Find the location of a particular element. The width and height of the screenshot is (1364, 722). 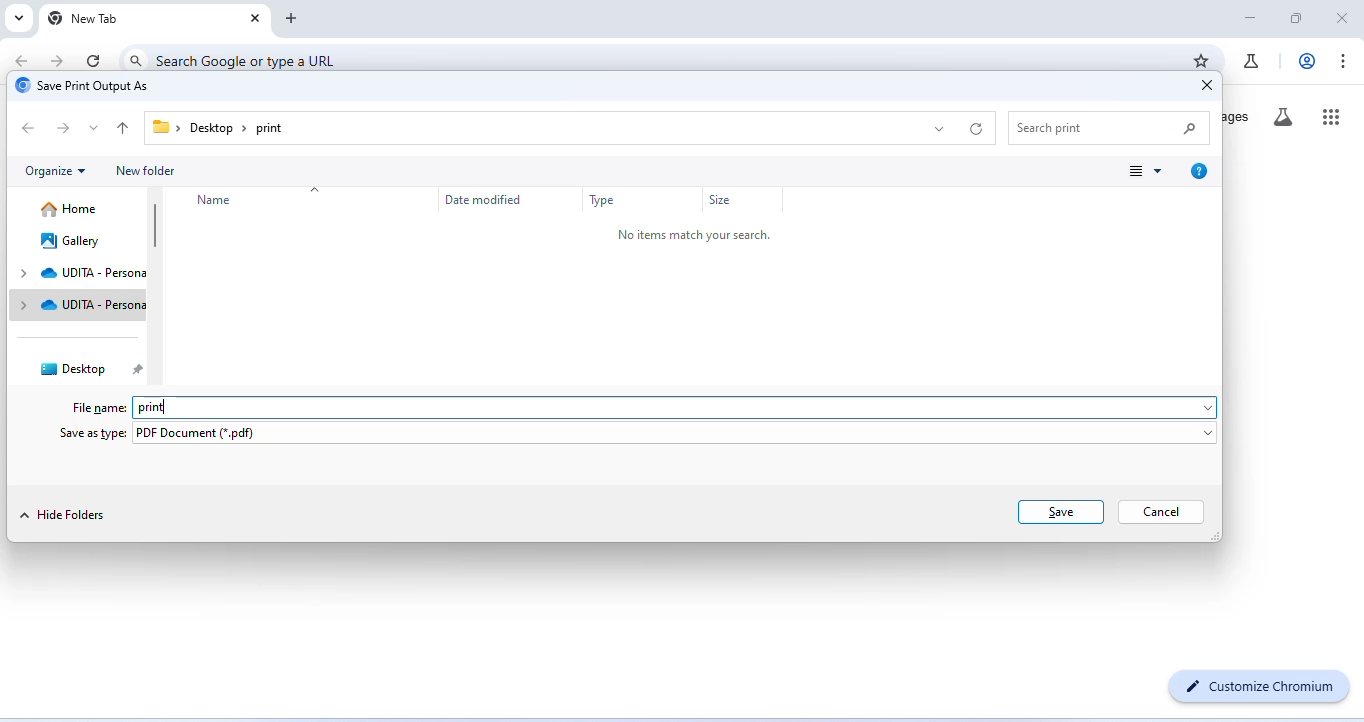

customize and control chromium is located at coordinates (1342, 61).